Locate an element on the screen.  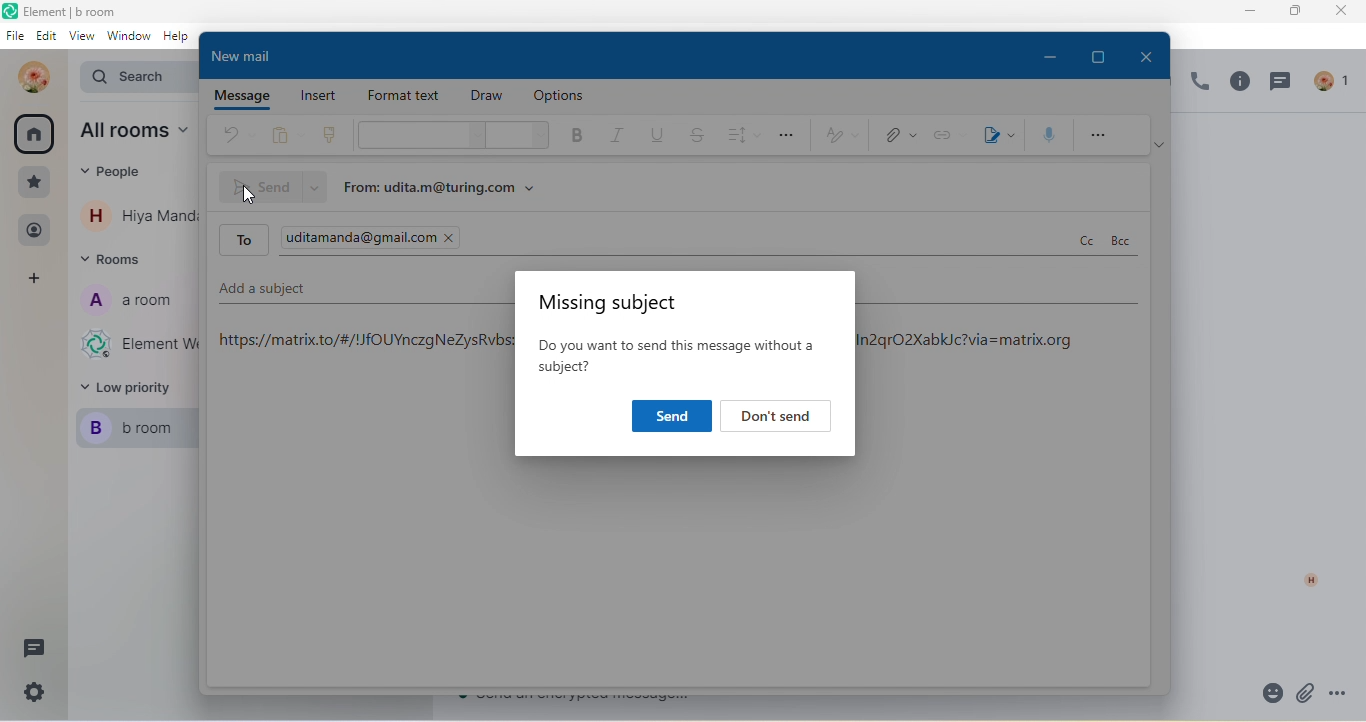
info is located at coordinates (1238, 85).